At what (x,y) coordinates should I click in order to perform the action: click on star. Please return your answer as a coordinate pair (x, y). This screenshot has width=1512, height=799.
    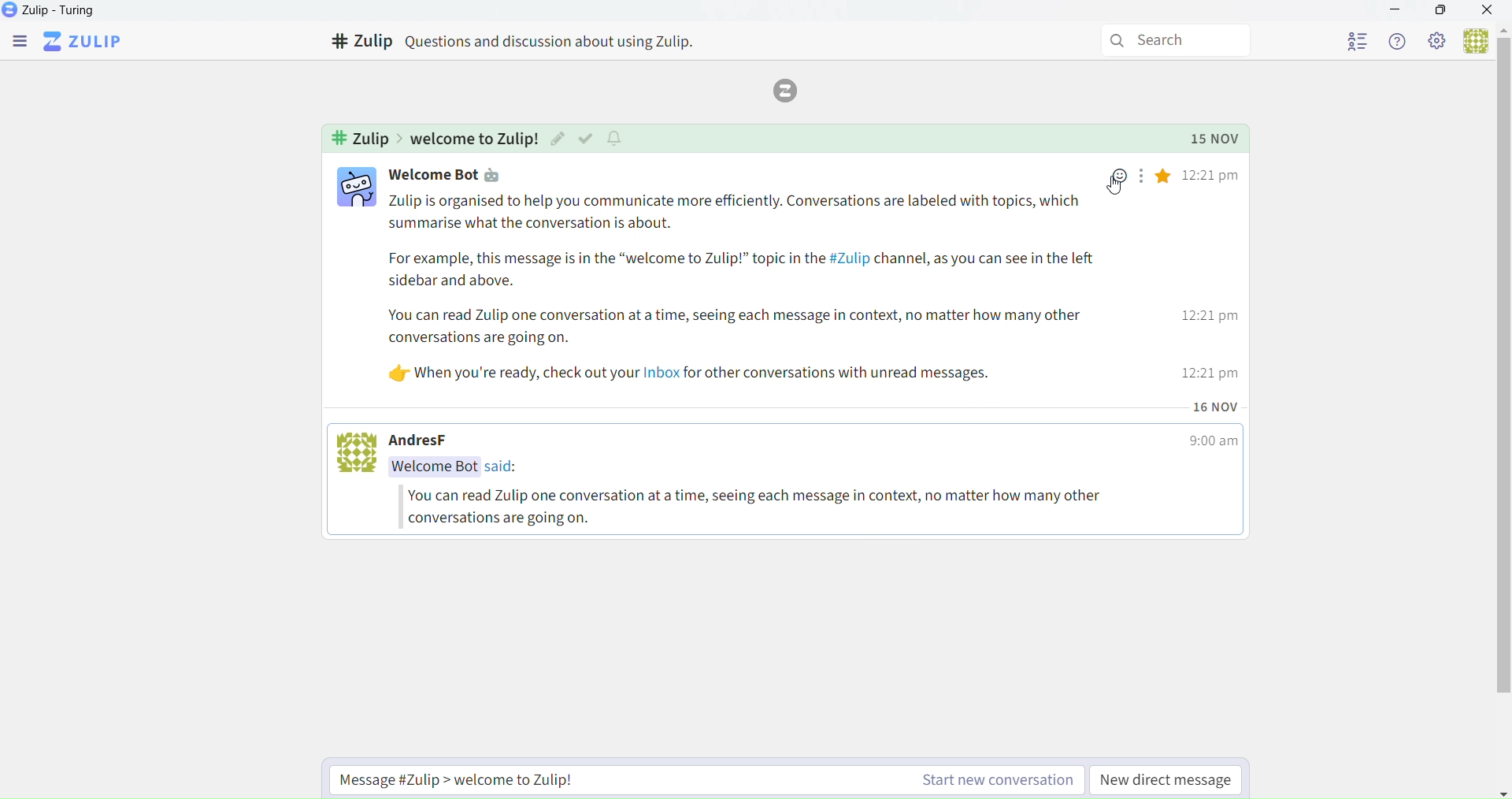
    Looking at the image, I should click on (1165, 179).